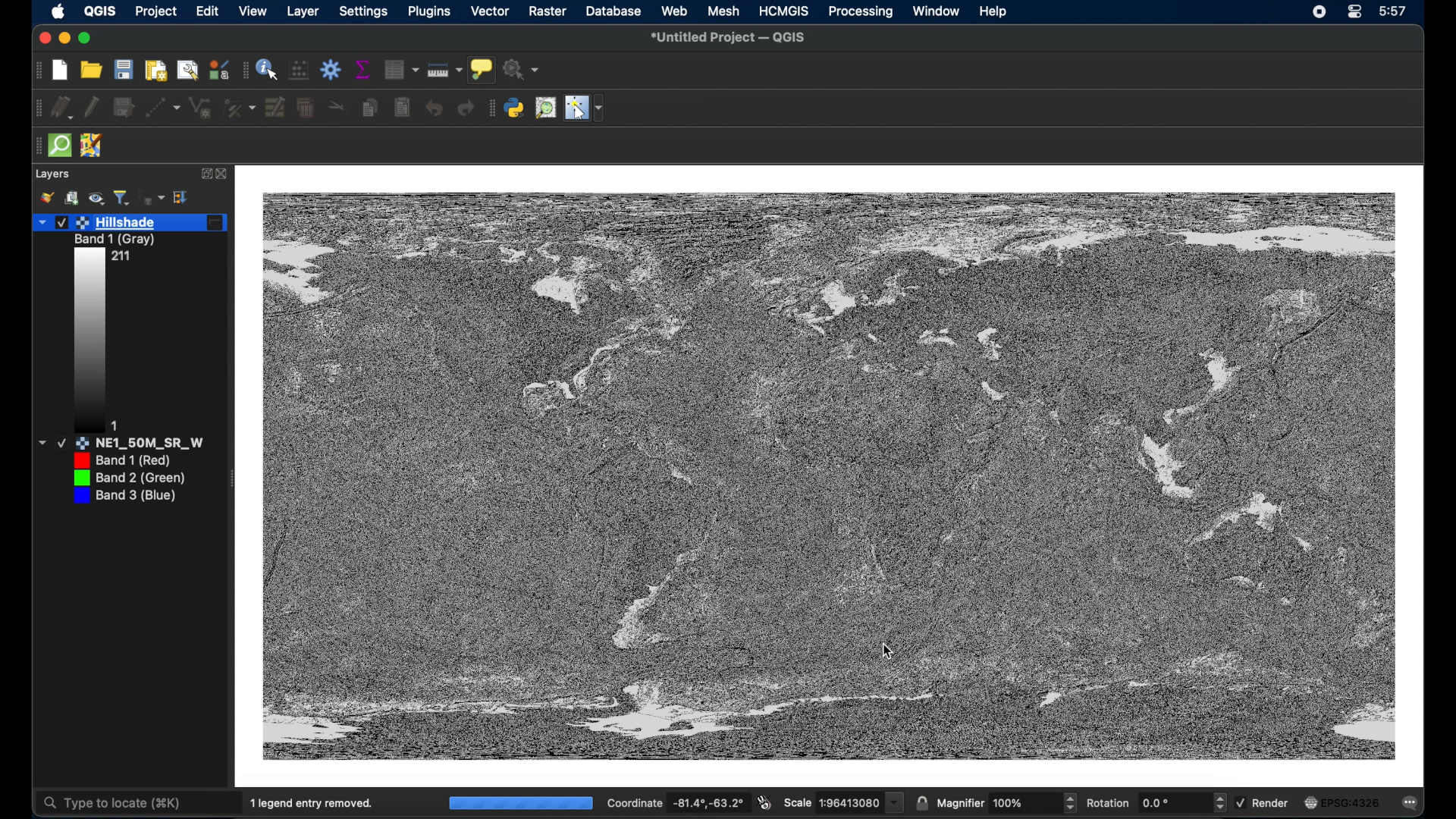  I want to click on vector, so click(489, 11).